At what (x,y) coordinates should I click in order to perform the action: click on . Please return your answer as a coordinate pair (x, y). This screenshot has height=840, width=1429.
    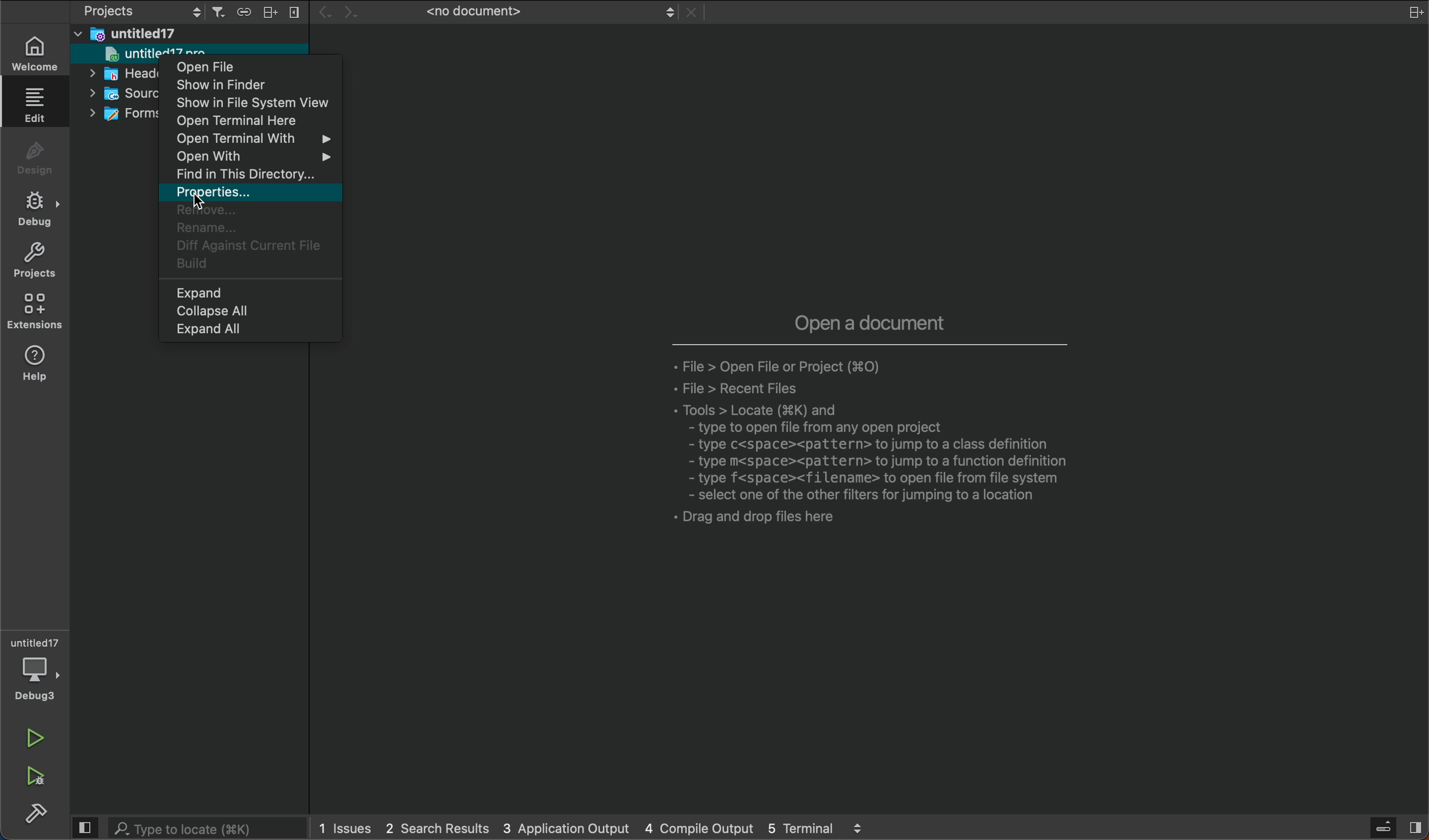
    Looking at the image, I should click on (297, 12).